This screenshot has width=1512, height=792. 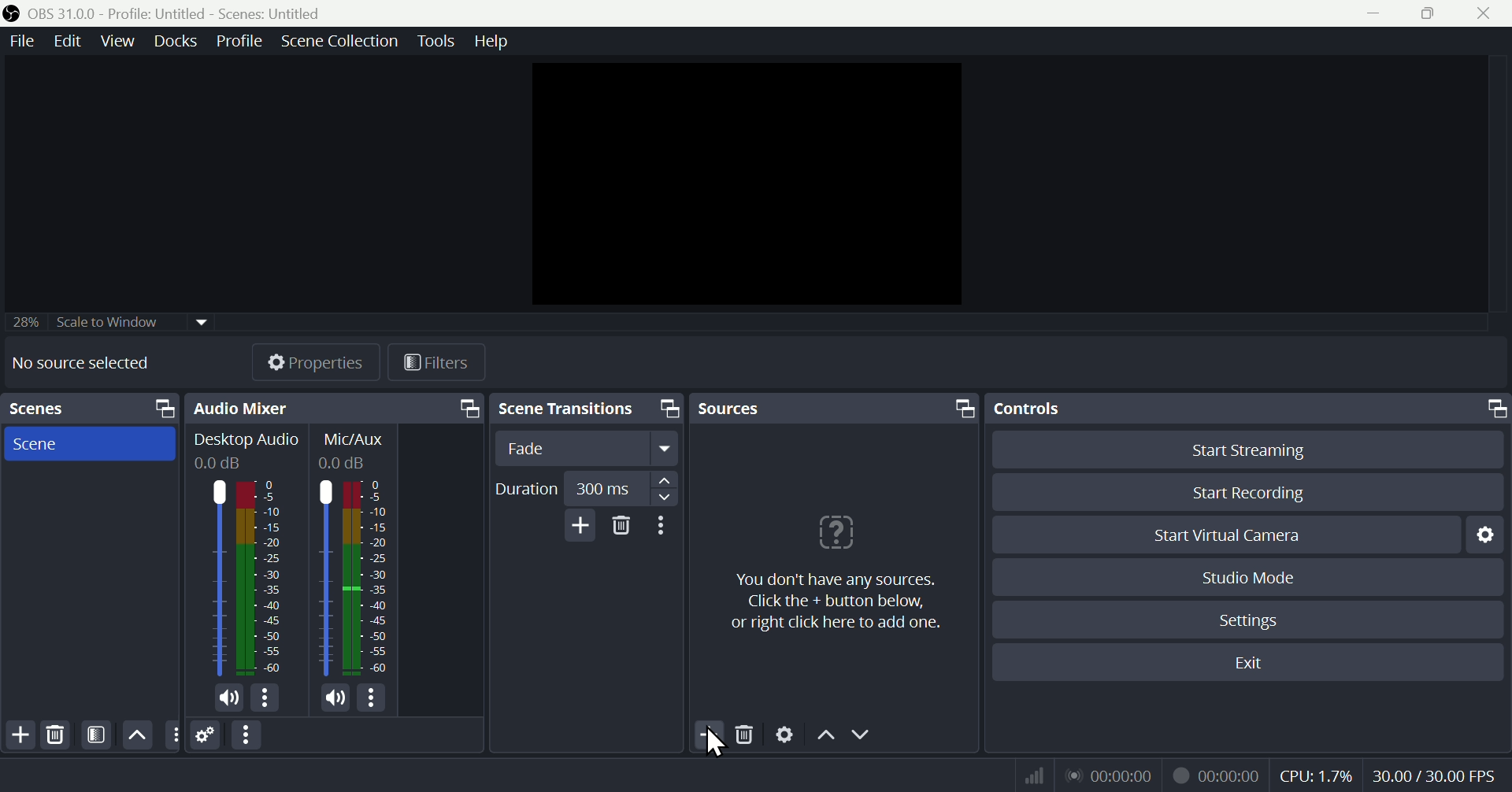 What do you see at coordinates (19, 735) in the screenshot?
I see `Add` at bounding box center [19, 735].